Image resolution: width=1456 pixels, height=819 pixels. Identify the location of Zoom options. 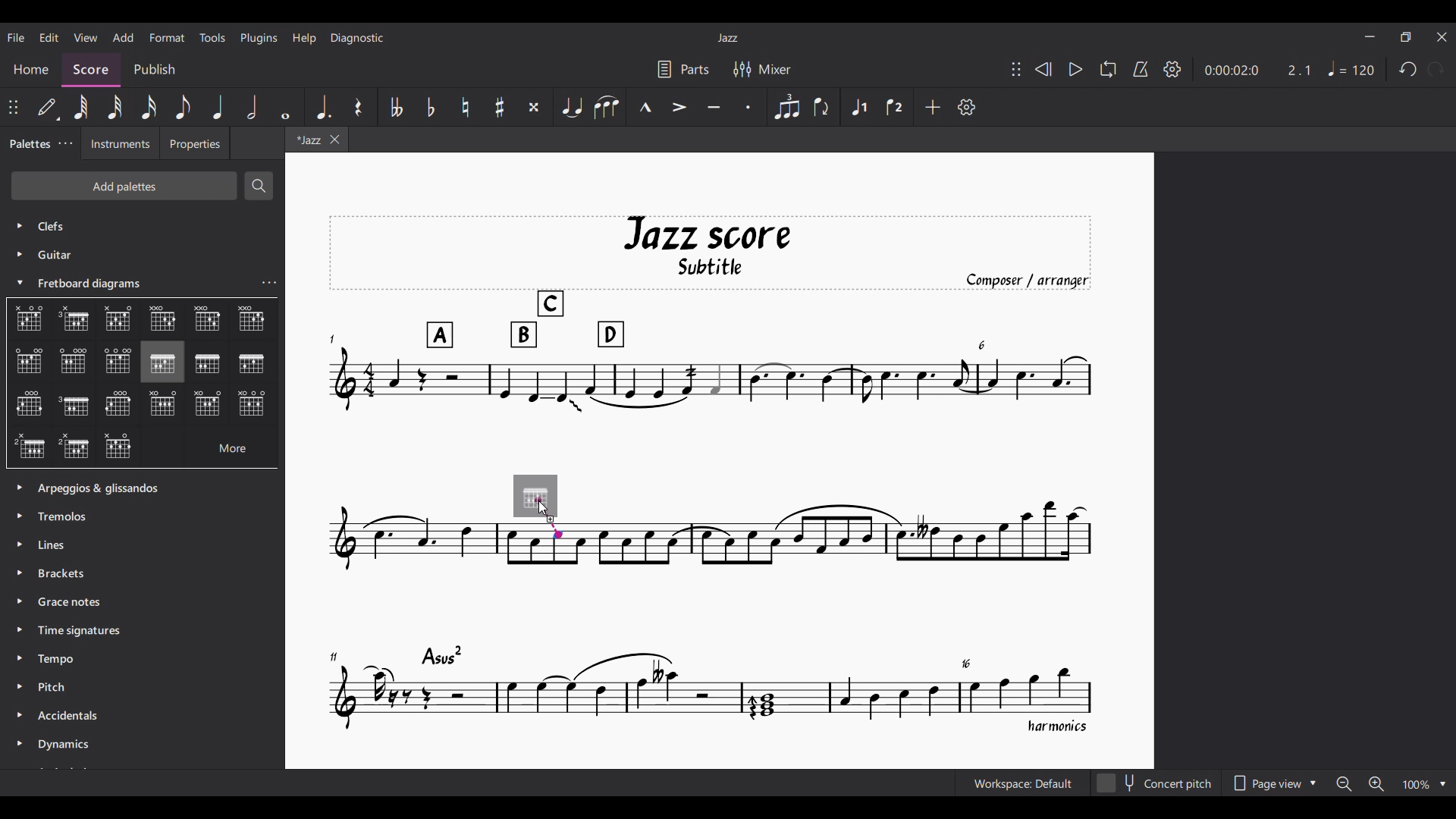
(1392, 783).